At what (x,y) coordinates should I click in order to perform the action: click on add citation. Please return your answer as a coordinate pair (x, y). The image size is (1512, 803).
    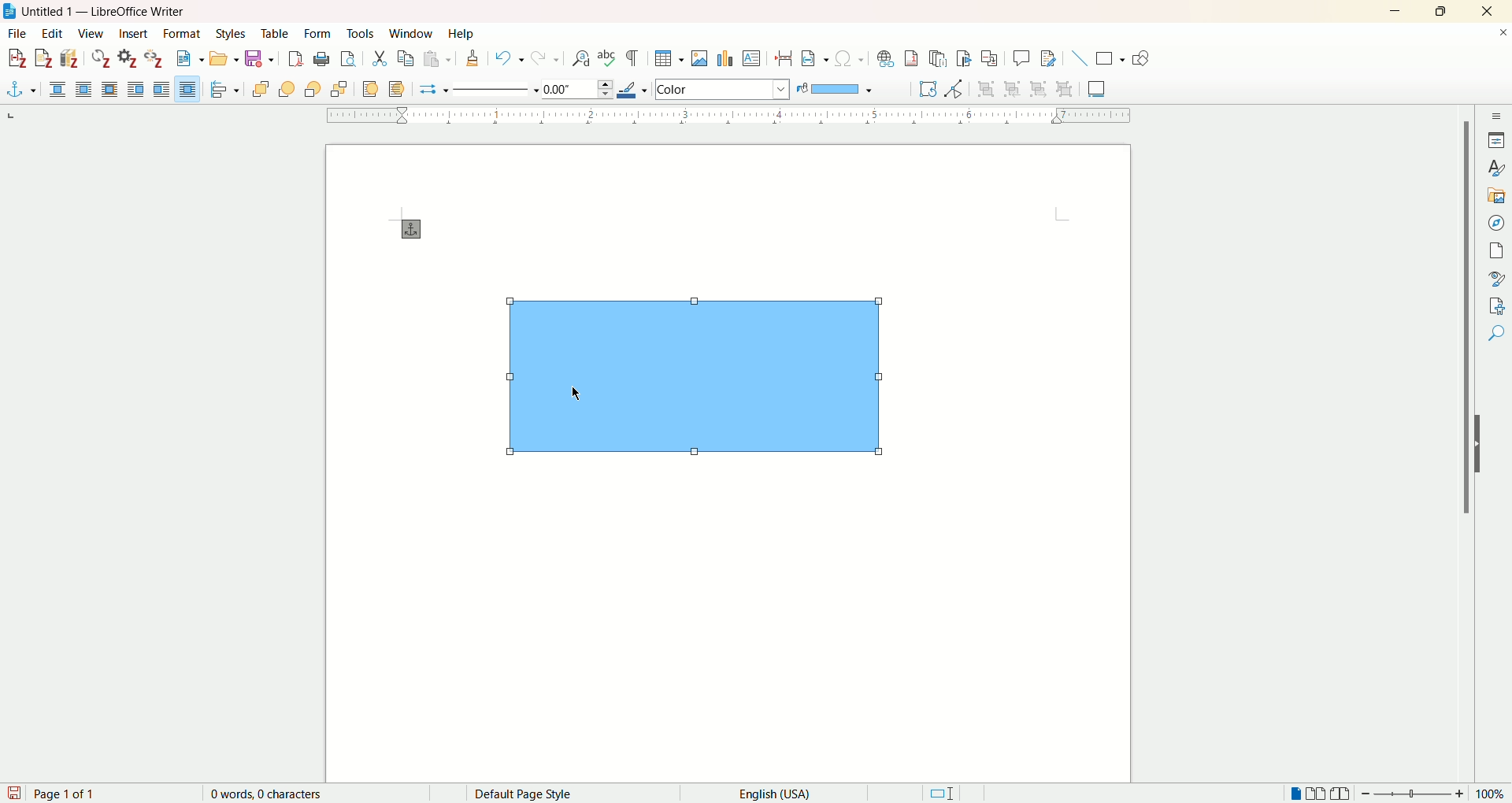
    Looking at the image, I should click on (15, 59).